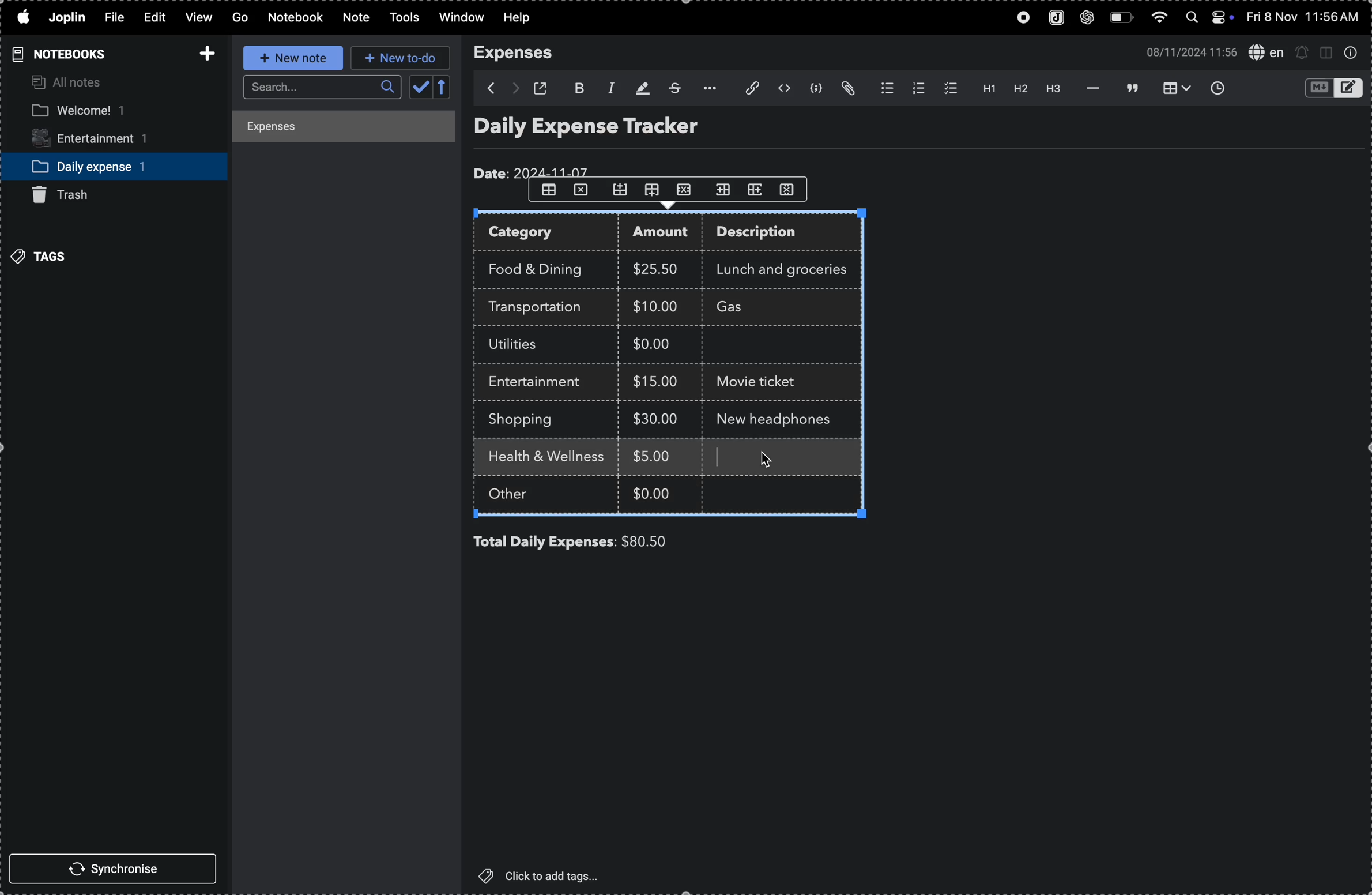  I want to click on alerts, so click(1302, 52).